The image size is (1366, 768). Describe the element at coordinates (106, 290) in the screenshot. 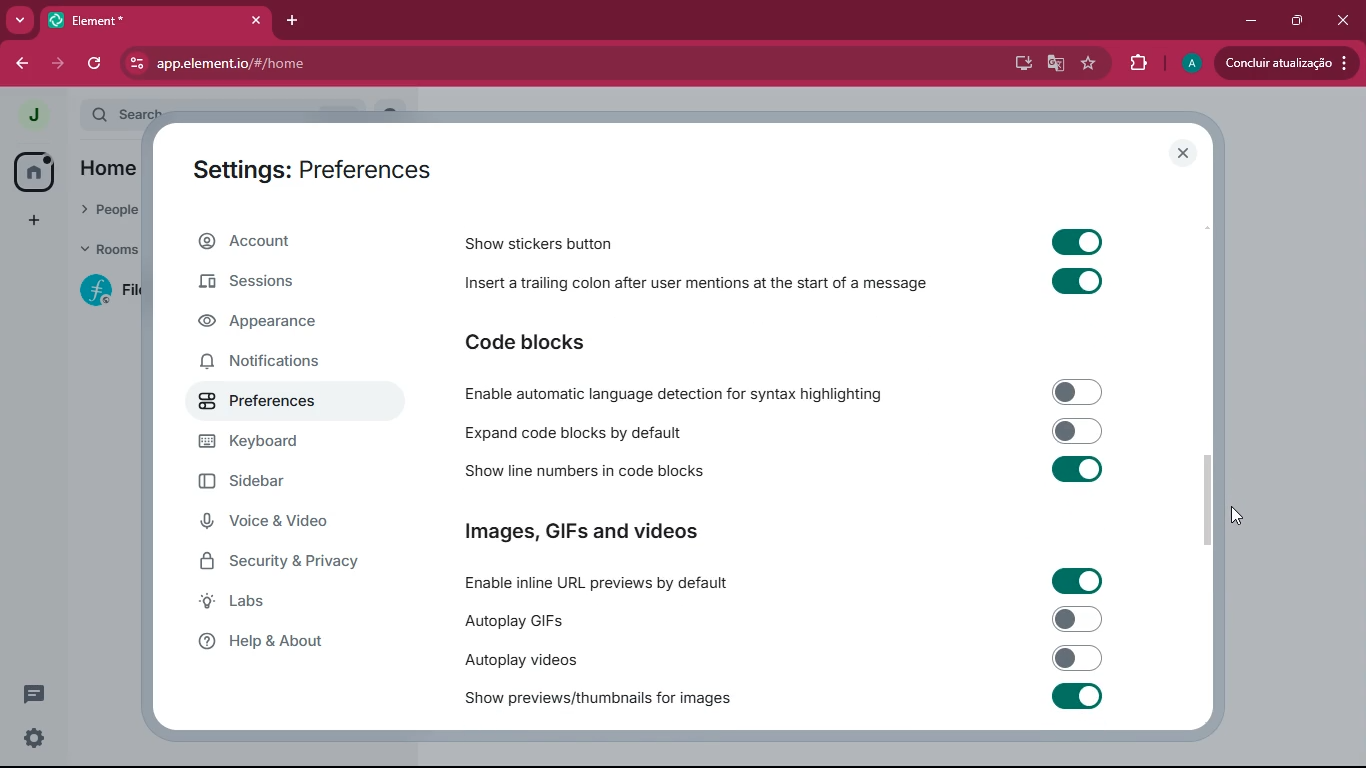

I see `room` at that location.